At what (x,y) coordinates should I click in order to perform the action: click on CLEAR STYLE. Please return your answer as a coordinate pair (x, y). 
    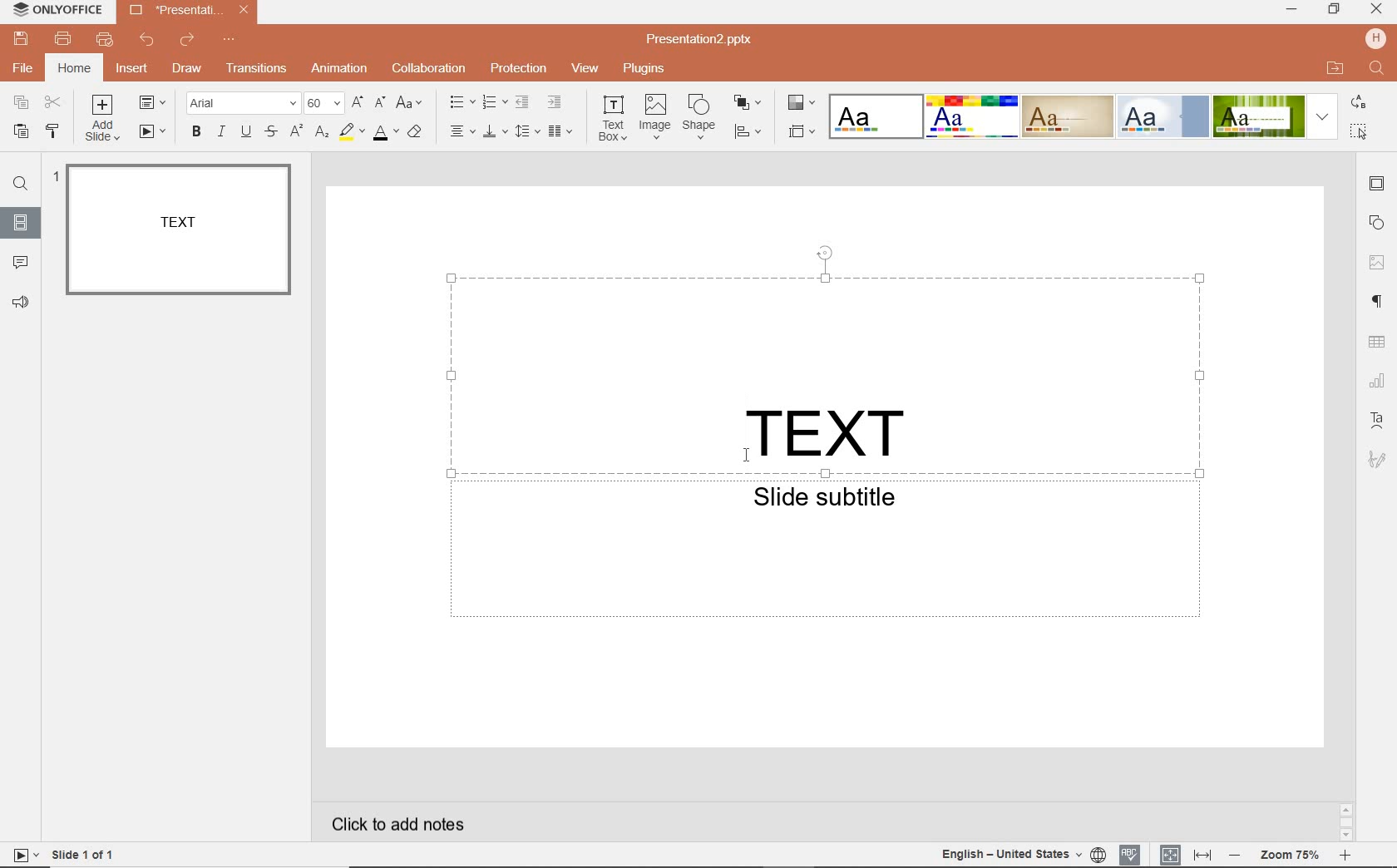
    Looking at the image, I should click on (419, 131).